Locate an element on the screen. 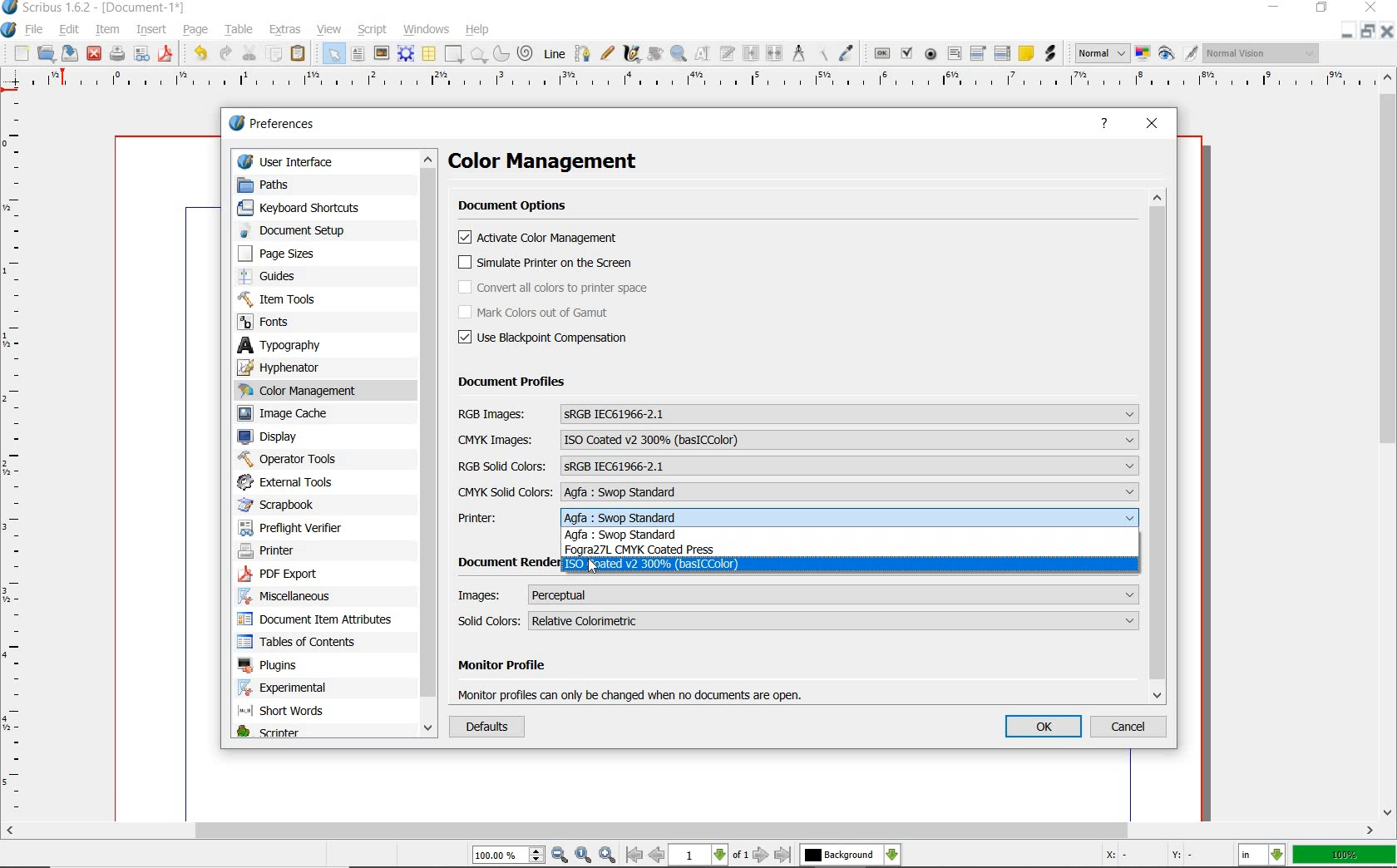 The image size is (1397, 868). pdf text field is located at coordinates (954, 53).